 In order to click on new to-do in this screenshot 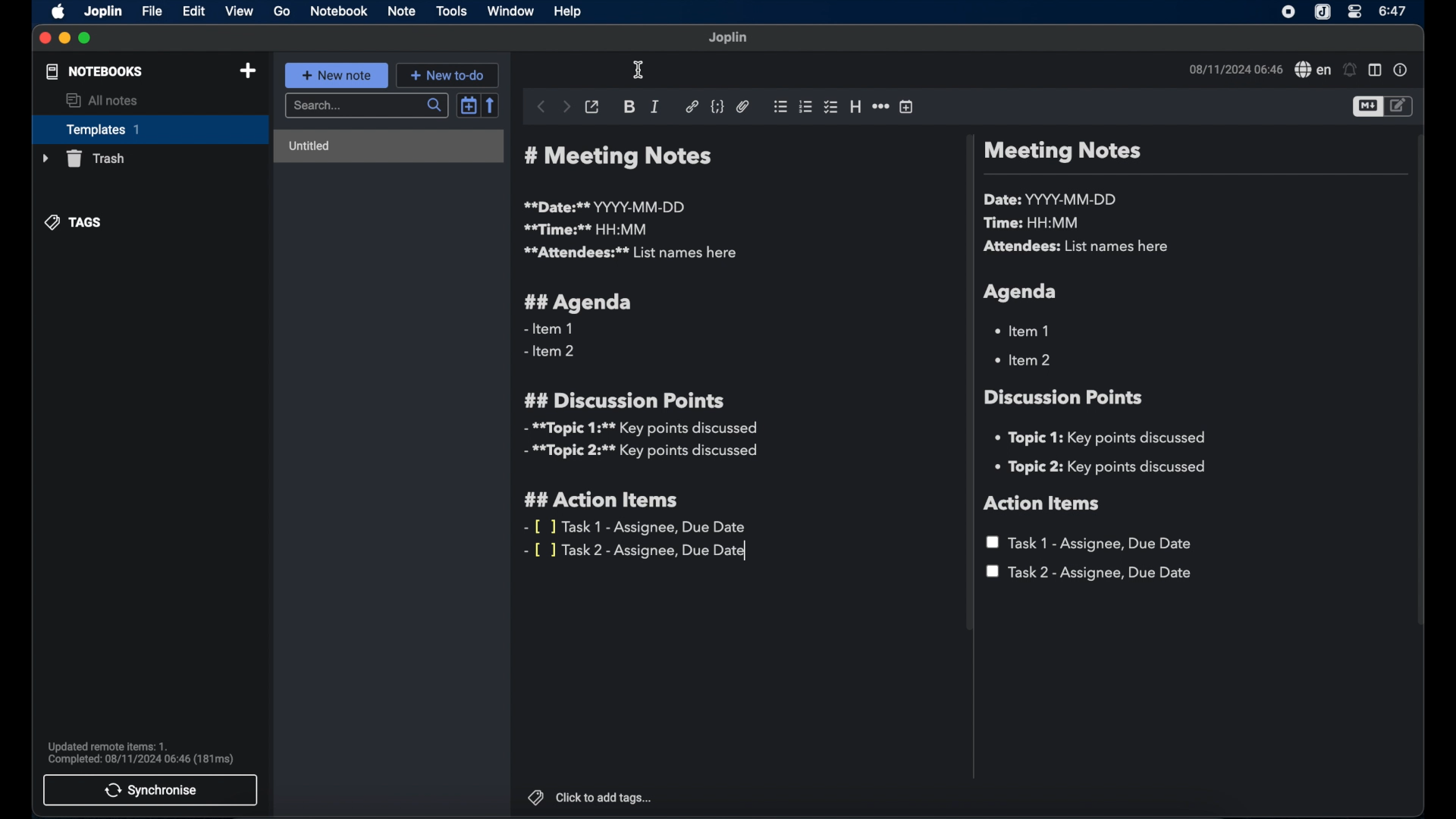, I will do `click(450, 74)`.